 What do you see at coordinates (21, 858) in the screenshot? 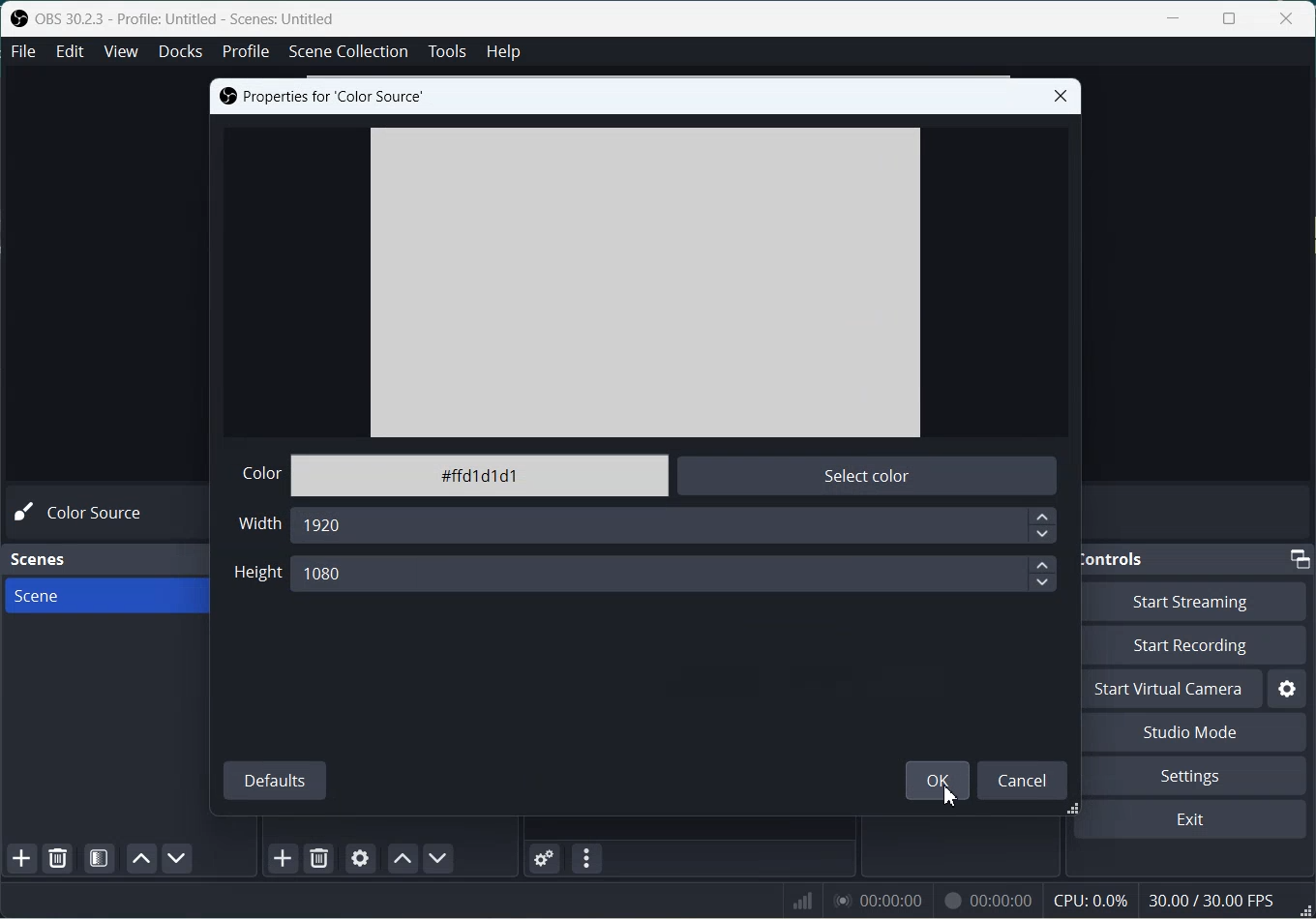
I see `Add Scene` at bounding box center [21, 858].